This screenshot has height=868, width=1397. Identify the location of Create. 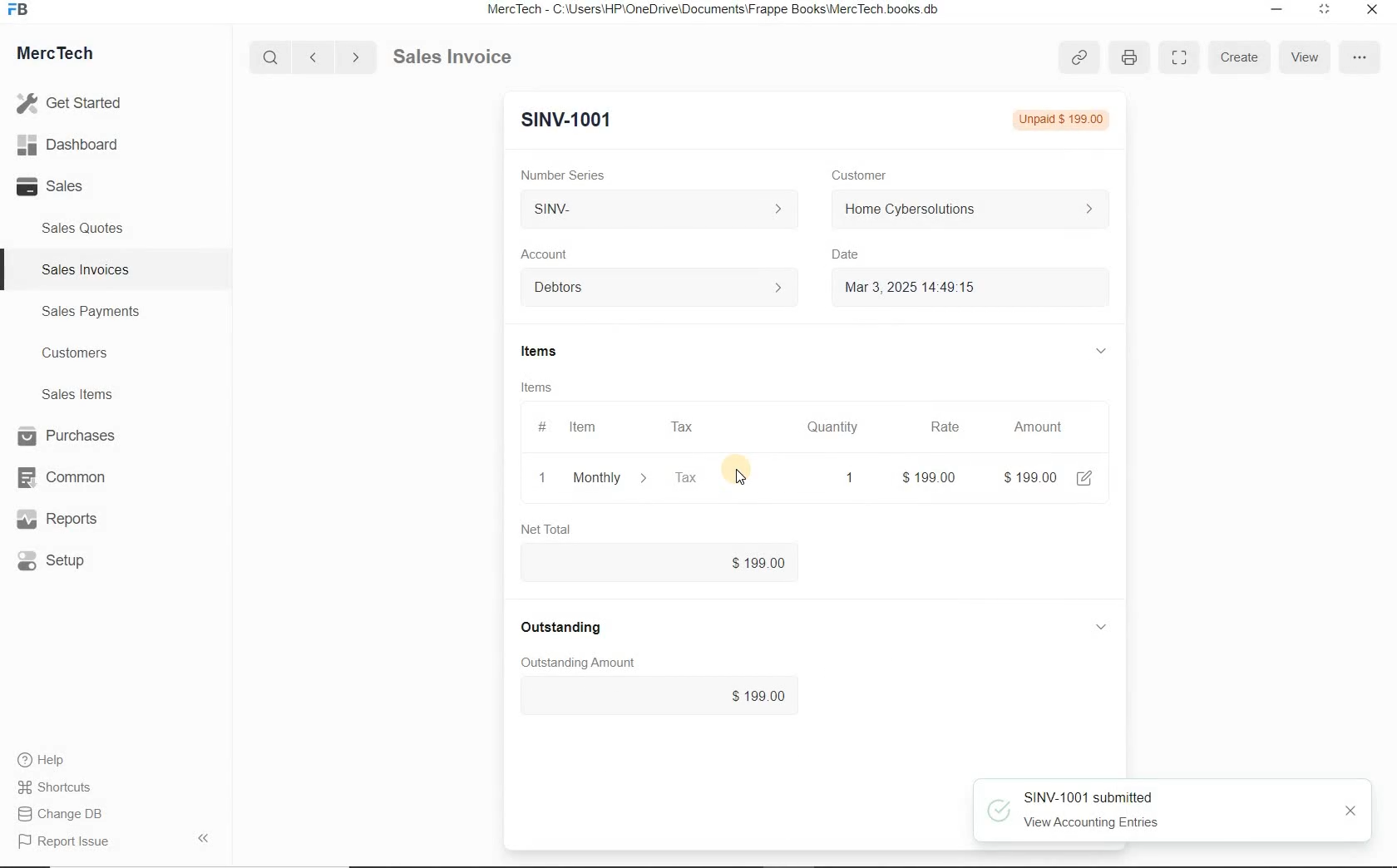
(1242, 57).